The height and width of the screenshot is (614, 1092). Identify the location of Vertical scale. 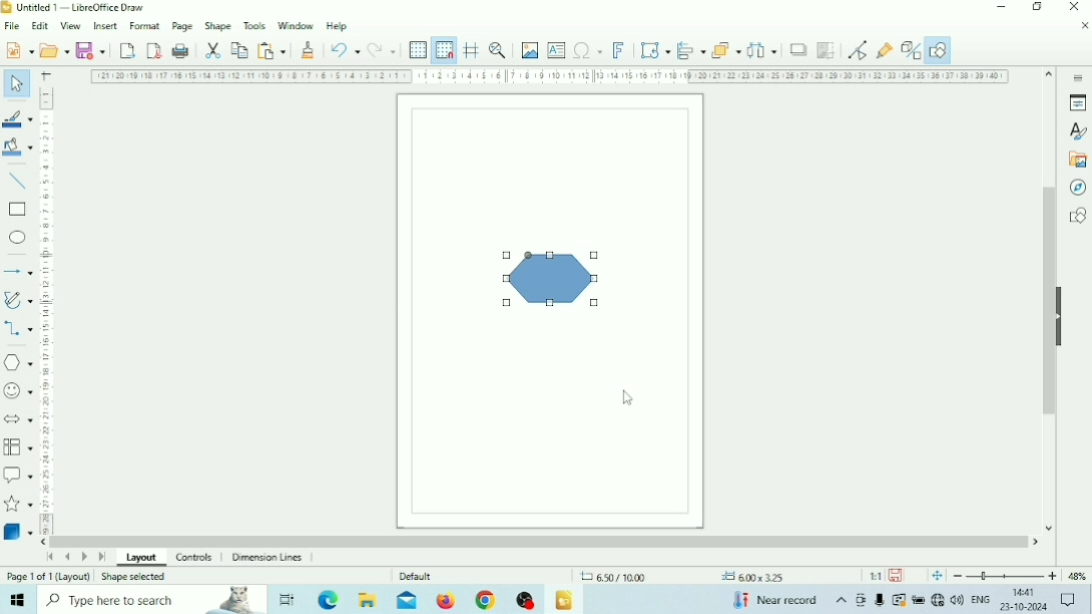
(46, 310).